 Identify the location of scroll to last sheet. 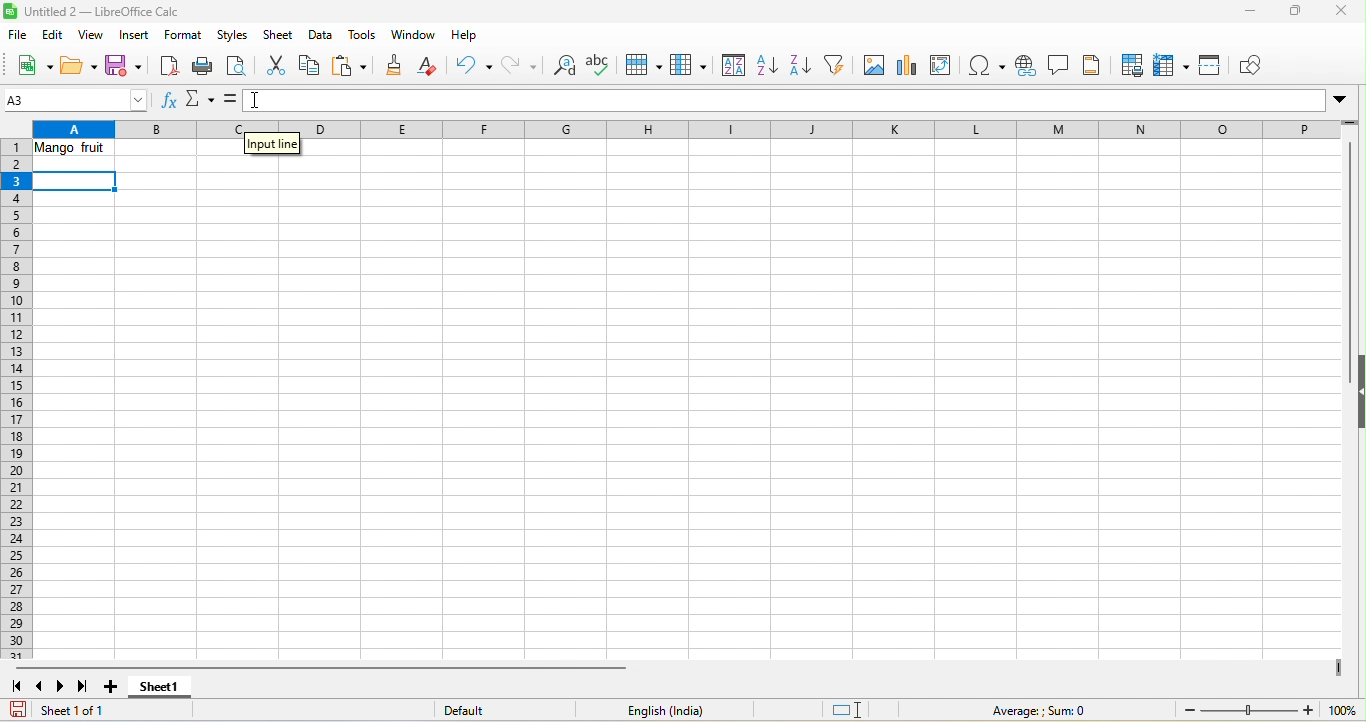
(84, 687).